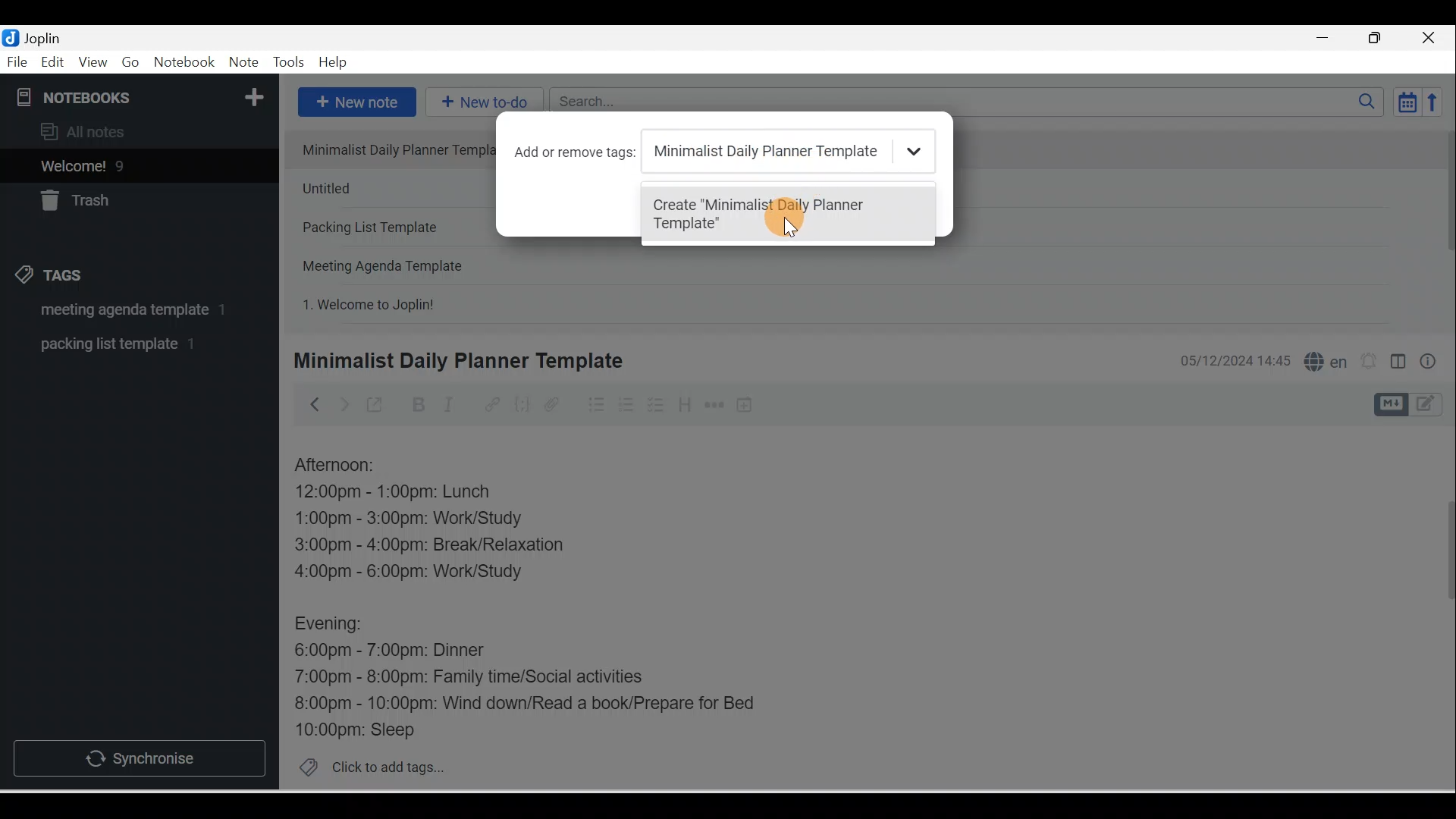 The height and width of the screenshot is (819, 1456). Describe the element at coordinates (416, 405) in the screenshot. I see `Bold` at that location.